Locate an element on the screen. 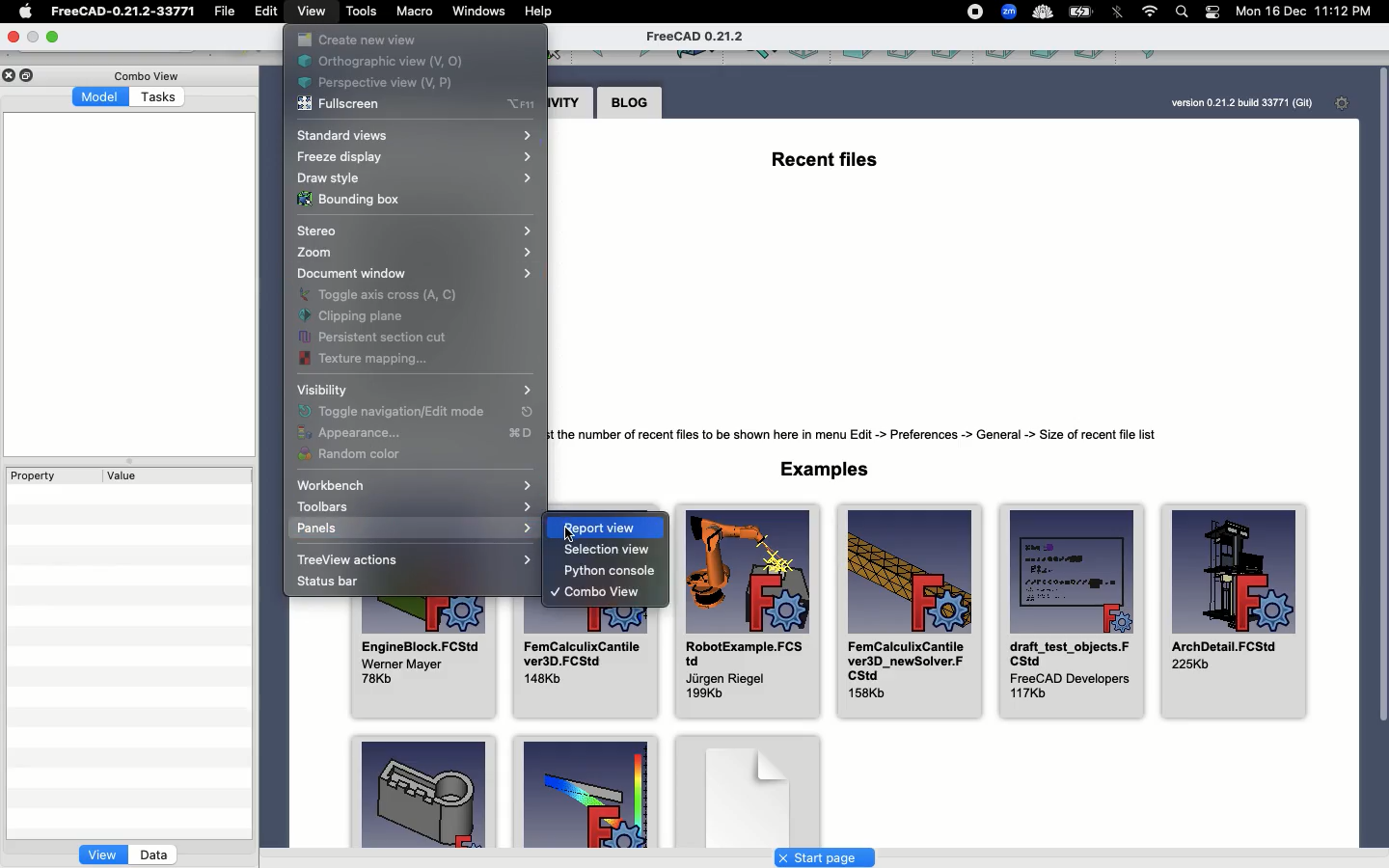 Image resolution: width=1389 pixels, height=868 pixels. Combo view is located at coordinates (147, 75).